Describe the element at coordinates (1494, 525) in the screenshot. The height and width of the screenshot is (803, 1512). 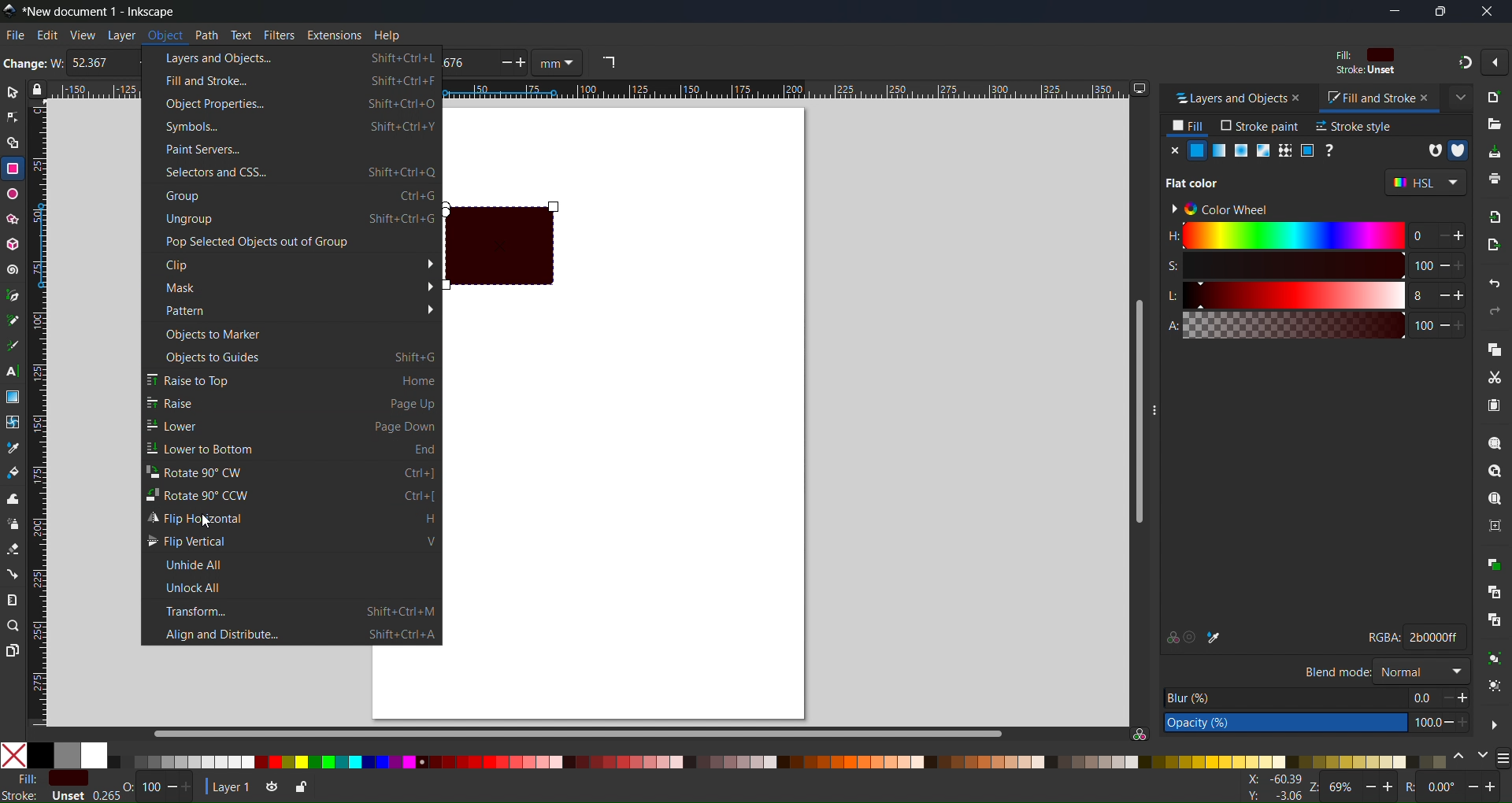
I see `Zoom center page` at that location.